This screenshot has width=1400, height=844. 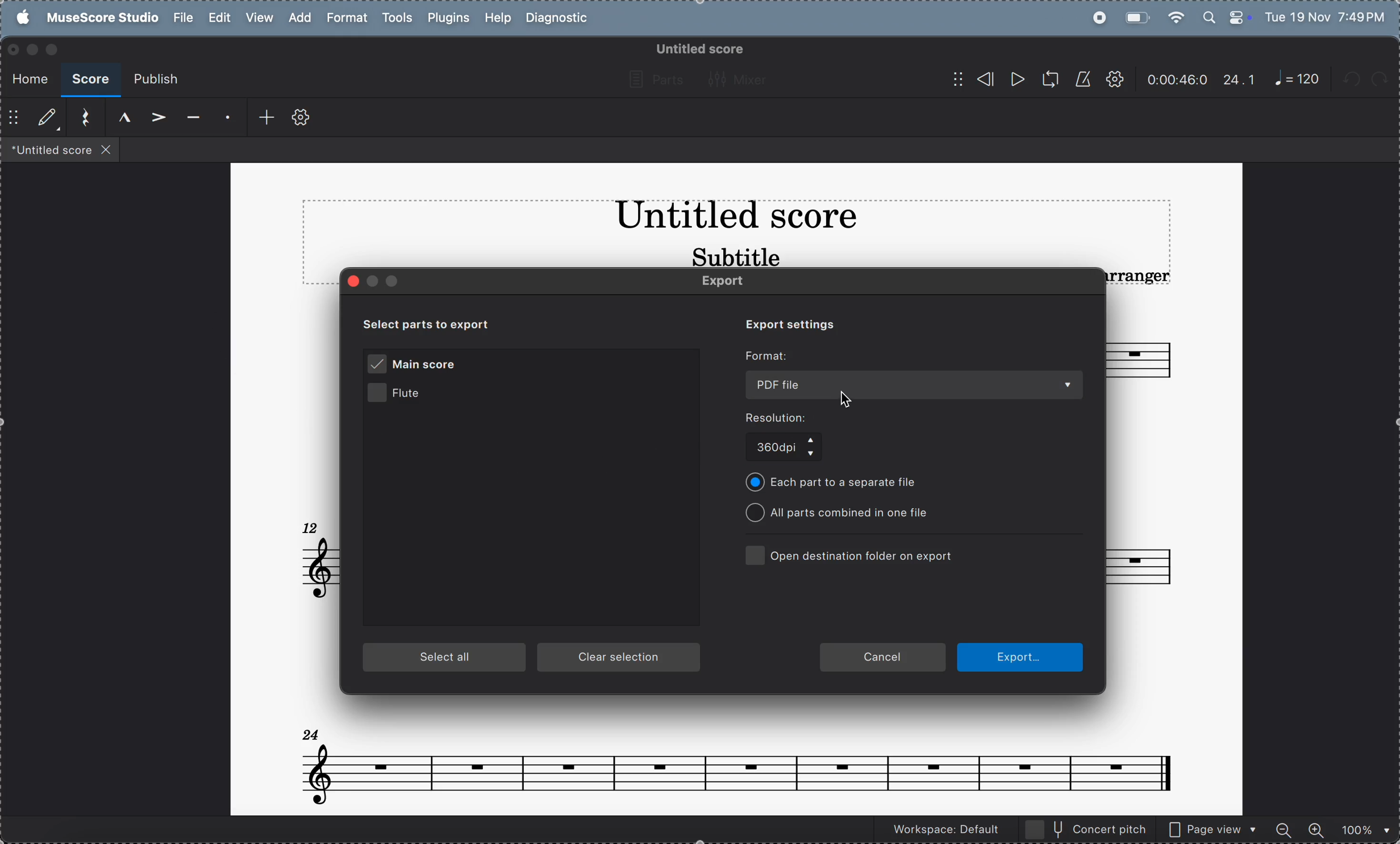 What do you see at coordinates (1362, 829) in the screenshot?
I see `zoom percentage` at bounding box center [1362, 829].